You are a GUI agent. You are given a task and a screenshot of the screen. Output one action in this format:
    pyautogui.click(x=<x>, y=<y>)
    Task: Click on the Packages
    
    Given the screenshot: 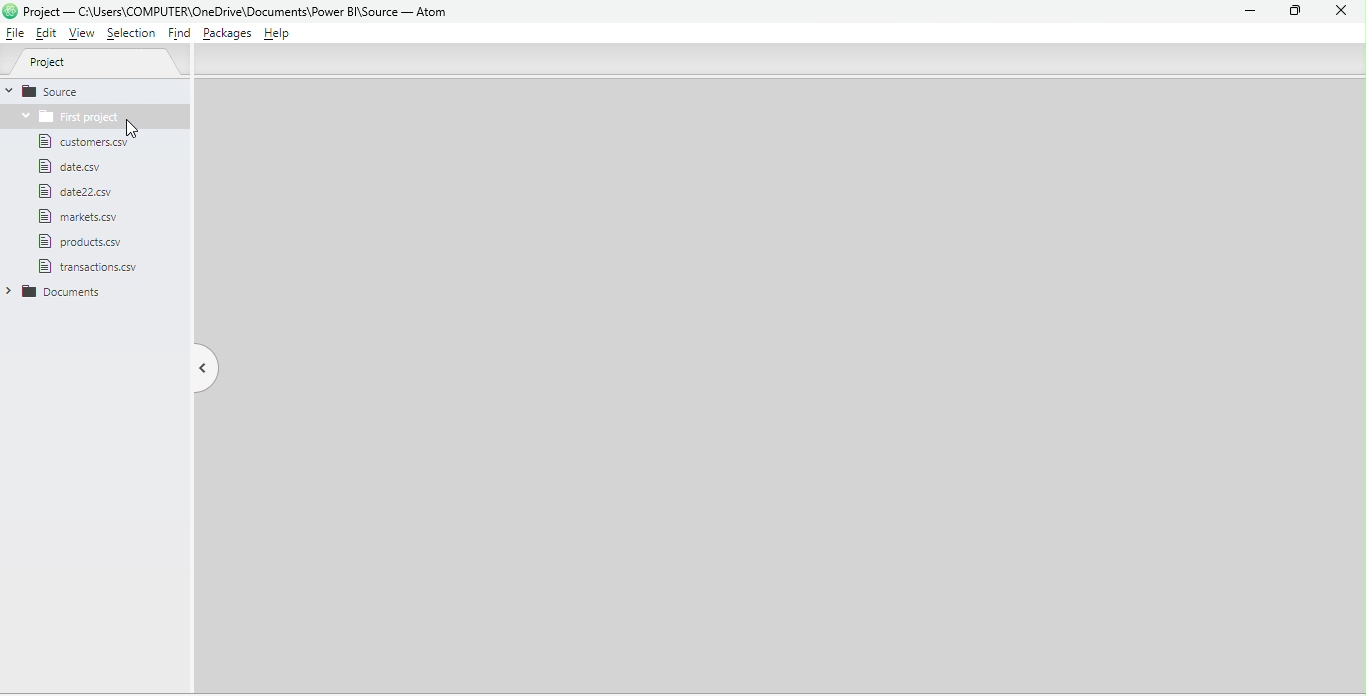 What is the action you would take?
    pyautogui.click(x=225, y=35)
    